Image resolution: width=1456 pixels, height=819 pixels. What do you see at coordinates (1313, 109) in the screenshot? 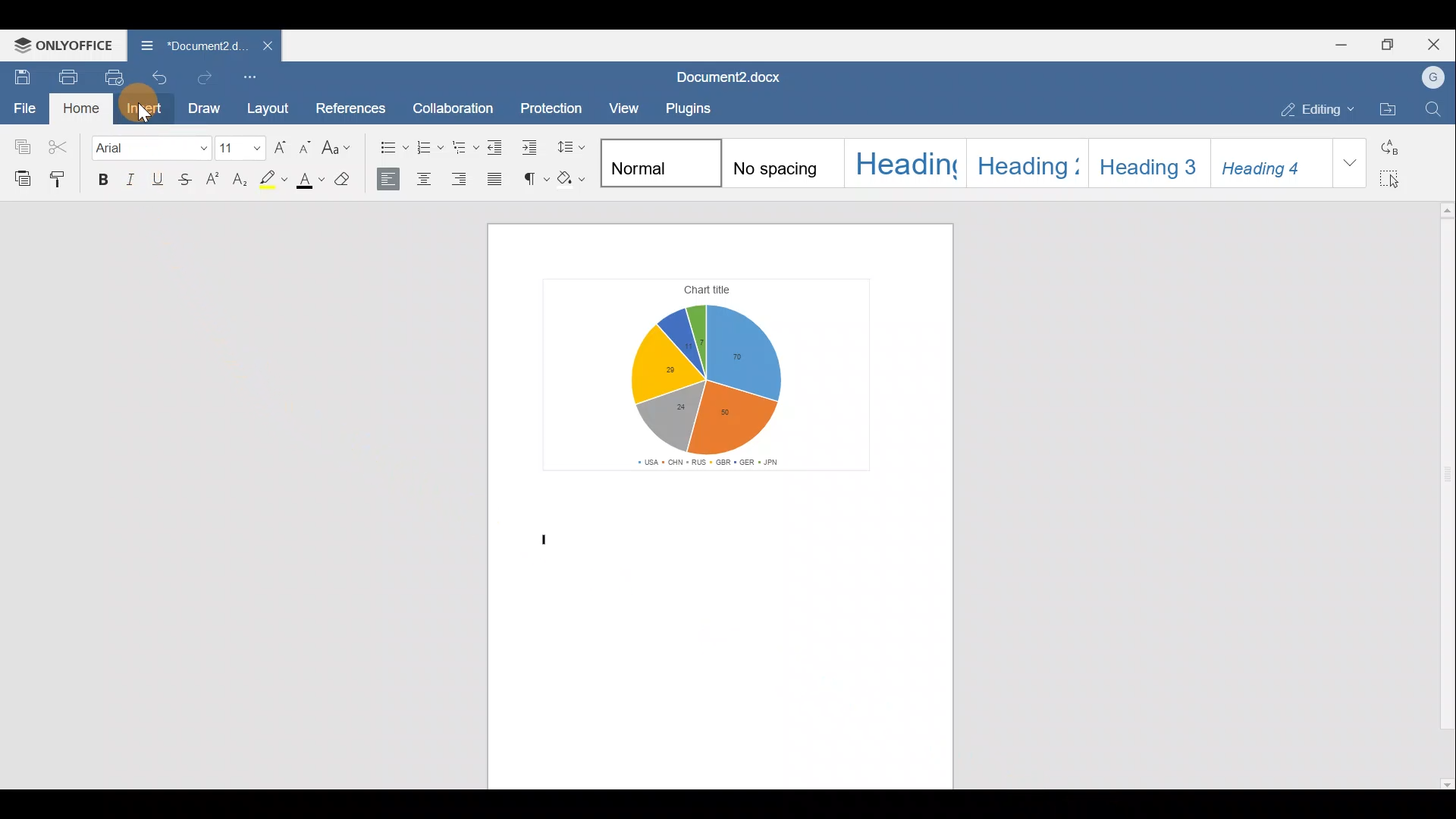
I see `Editing mode` at bounding box center [1313, 109].